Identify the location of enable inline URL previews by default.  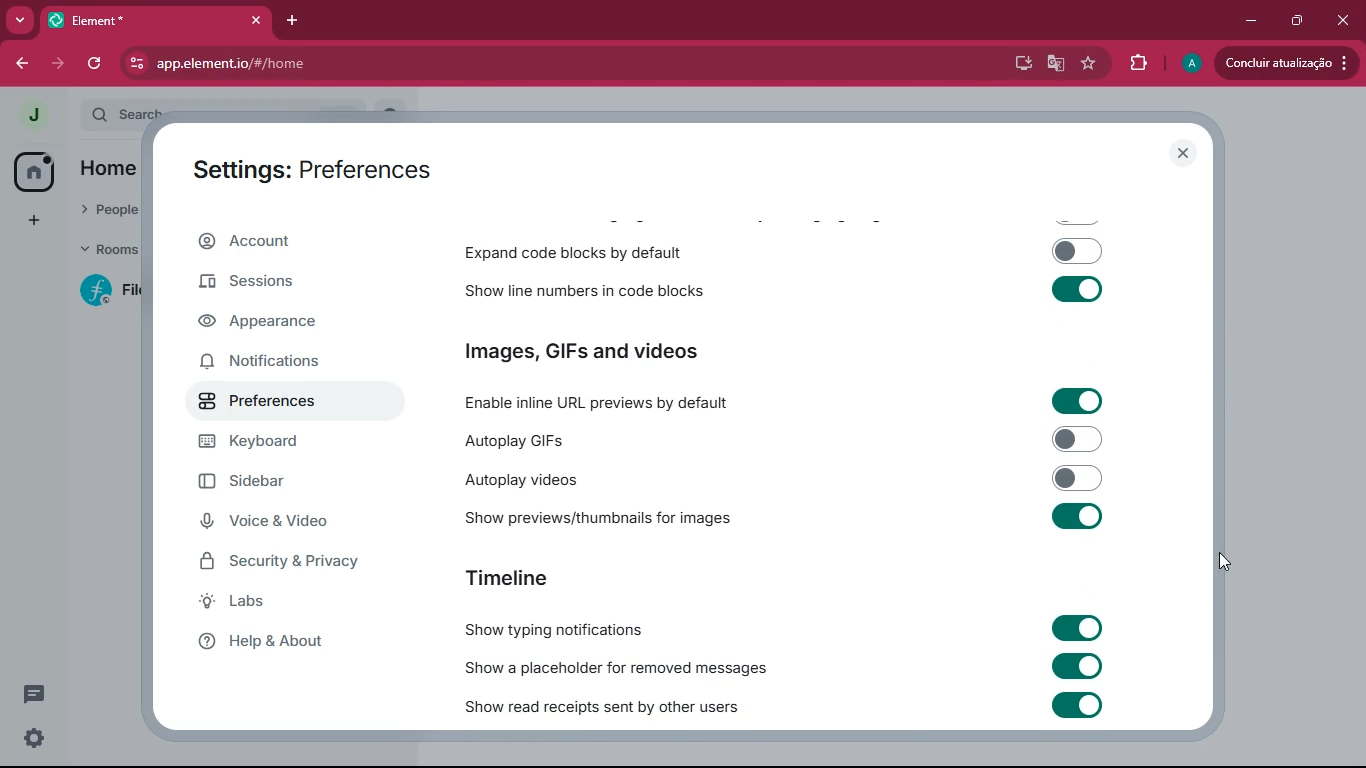
(628, 402).